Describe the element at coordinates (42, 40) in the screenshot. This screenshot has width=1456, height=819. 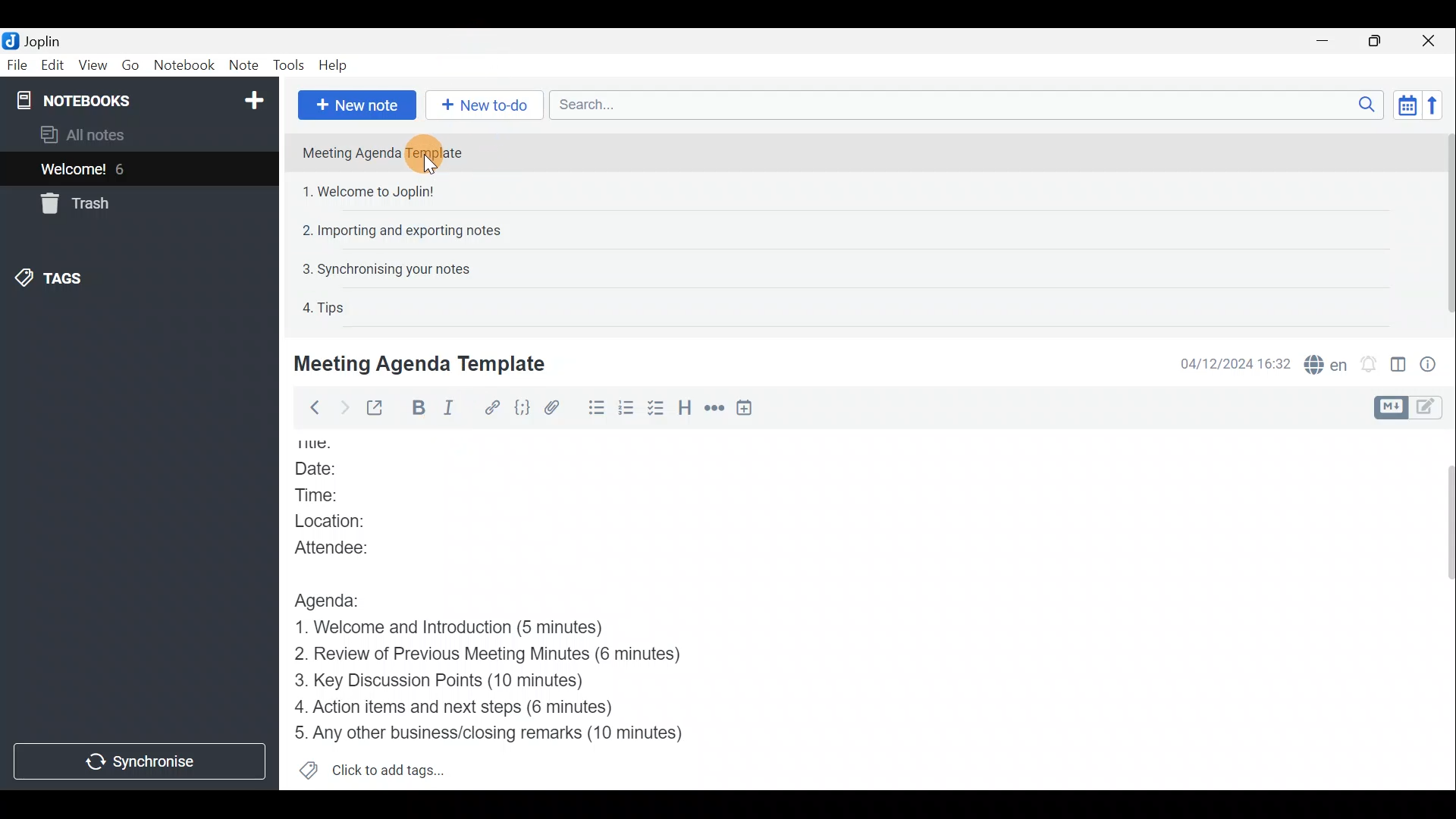
I see `Joplin` at that location.